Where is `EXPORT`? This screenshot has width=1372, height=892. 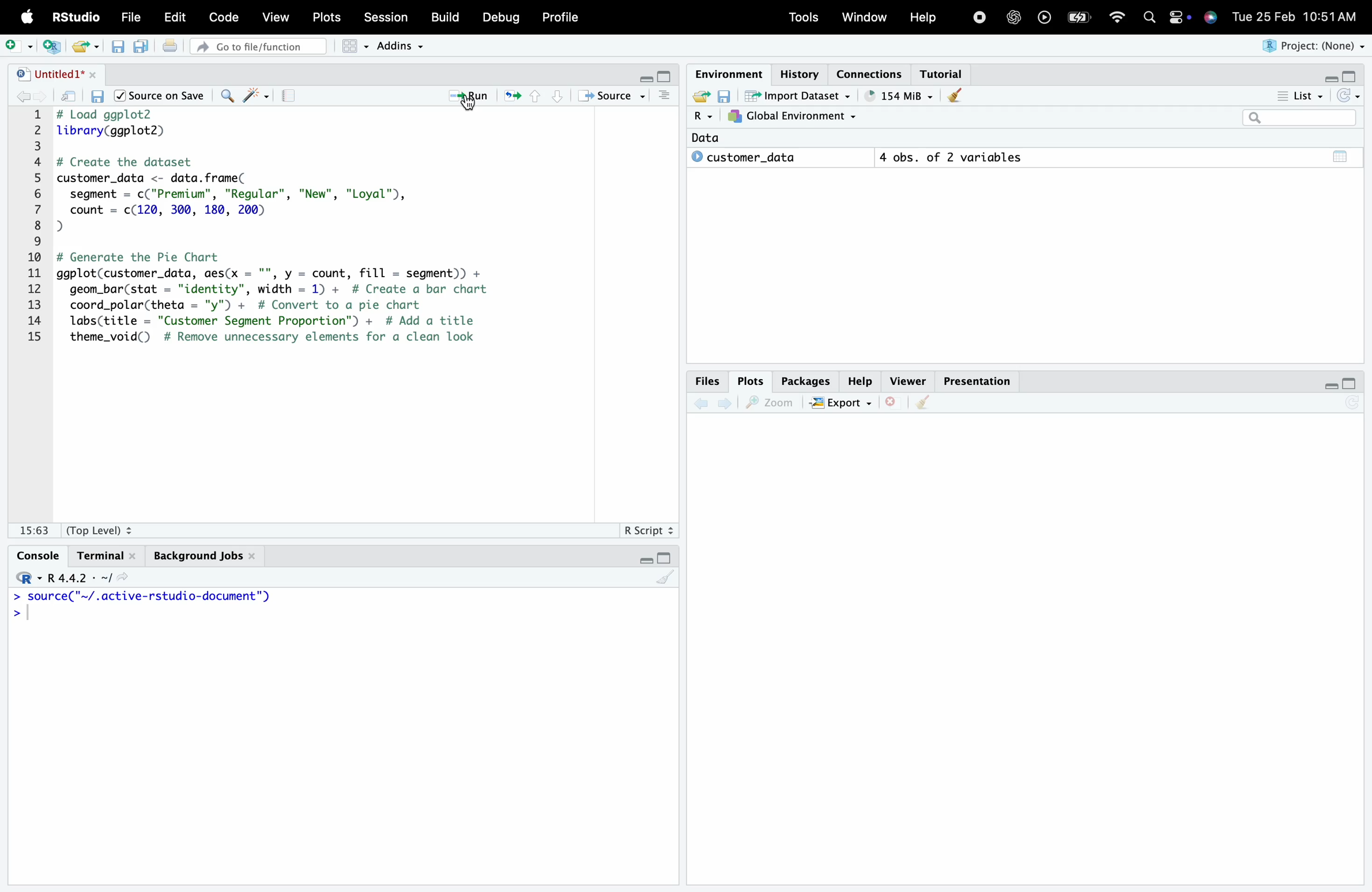 EXPORT is located at coordinates (842, 403).